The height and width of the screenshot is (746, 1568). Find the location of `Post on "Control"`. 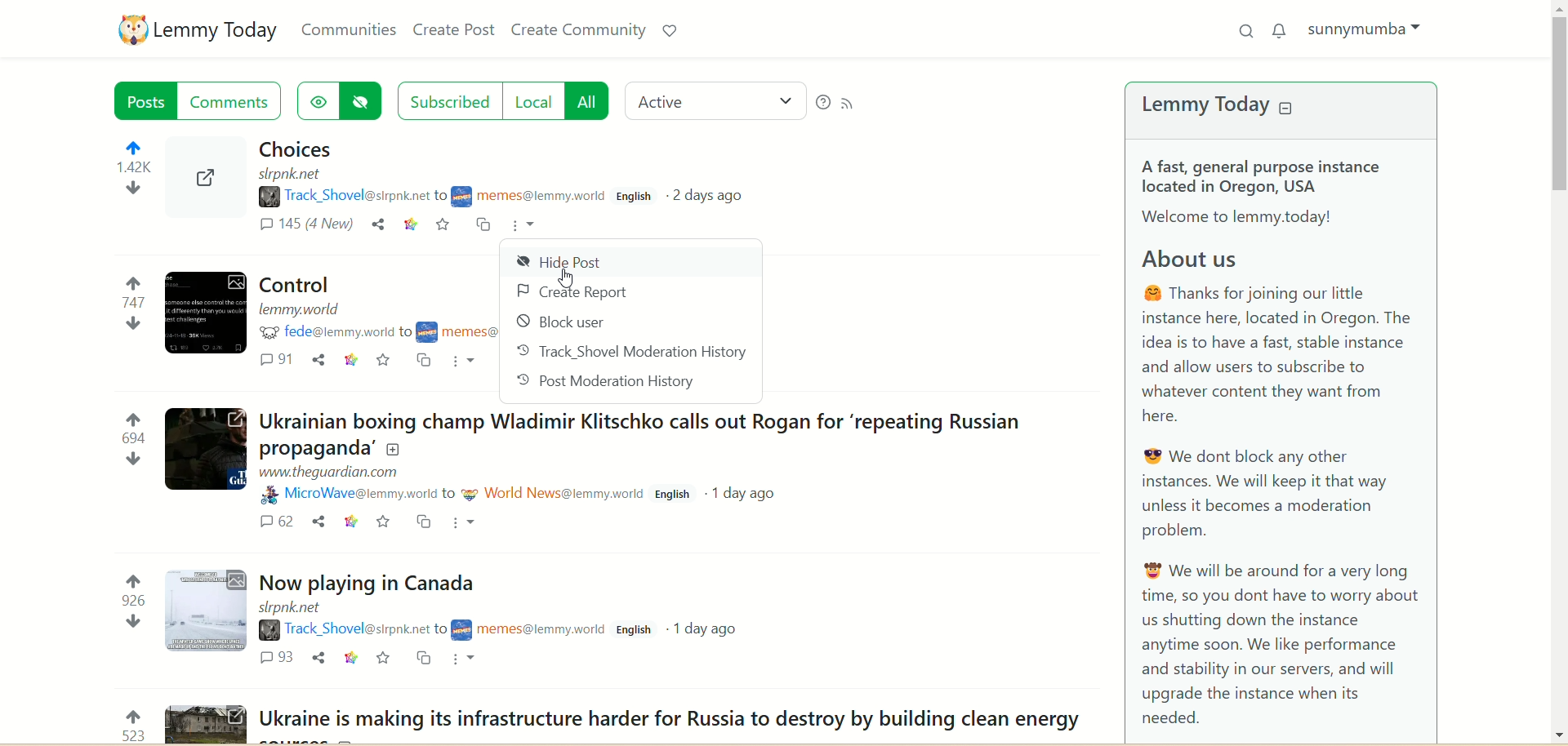

Post on "Control" is located at coordinates (293, 285).